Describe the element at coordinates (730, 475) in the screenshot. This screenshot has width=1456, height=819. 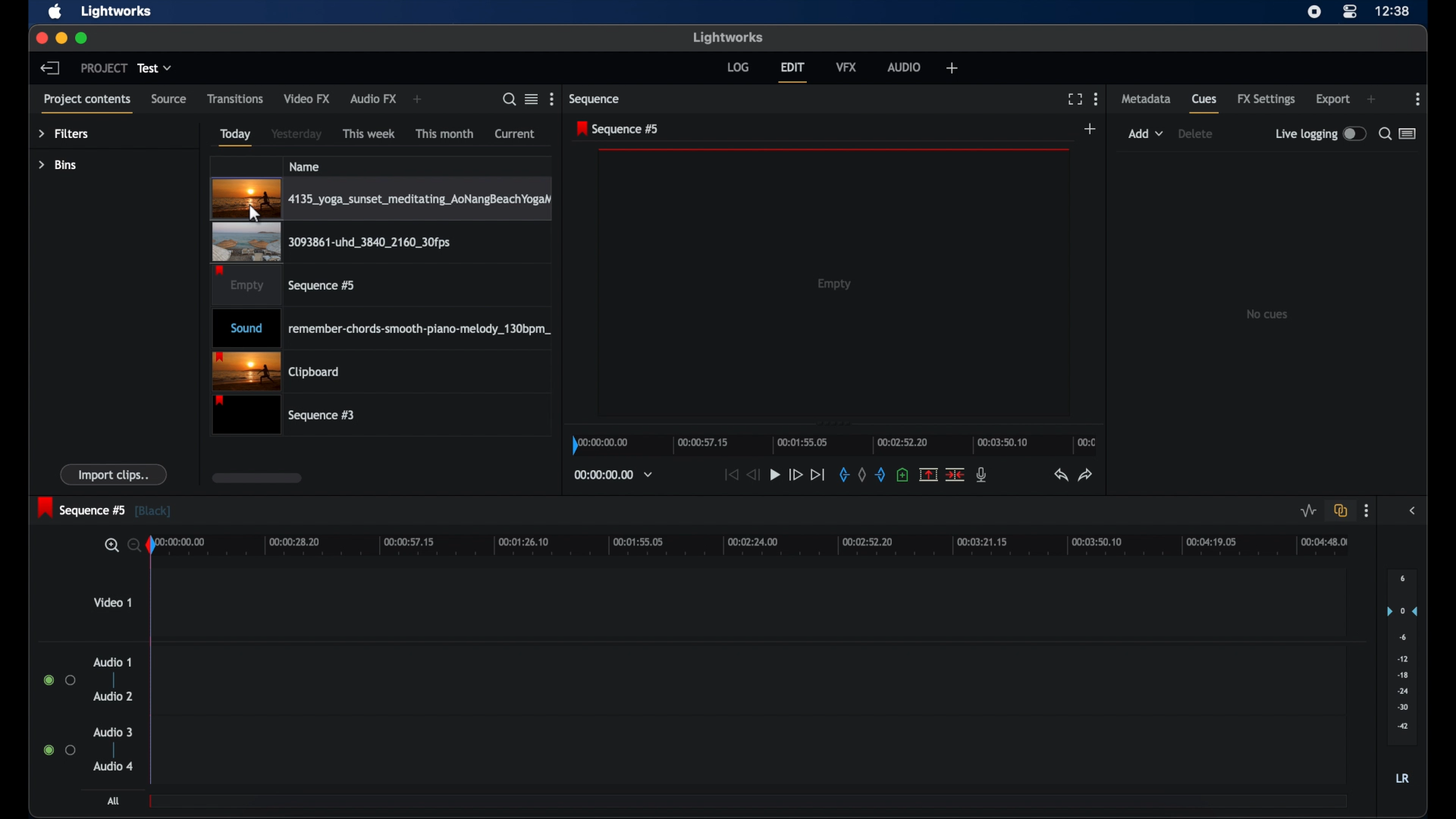
I see `jump to  start` at that location.